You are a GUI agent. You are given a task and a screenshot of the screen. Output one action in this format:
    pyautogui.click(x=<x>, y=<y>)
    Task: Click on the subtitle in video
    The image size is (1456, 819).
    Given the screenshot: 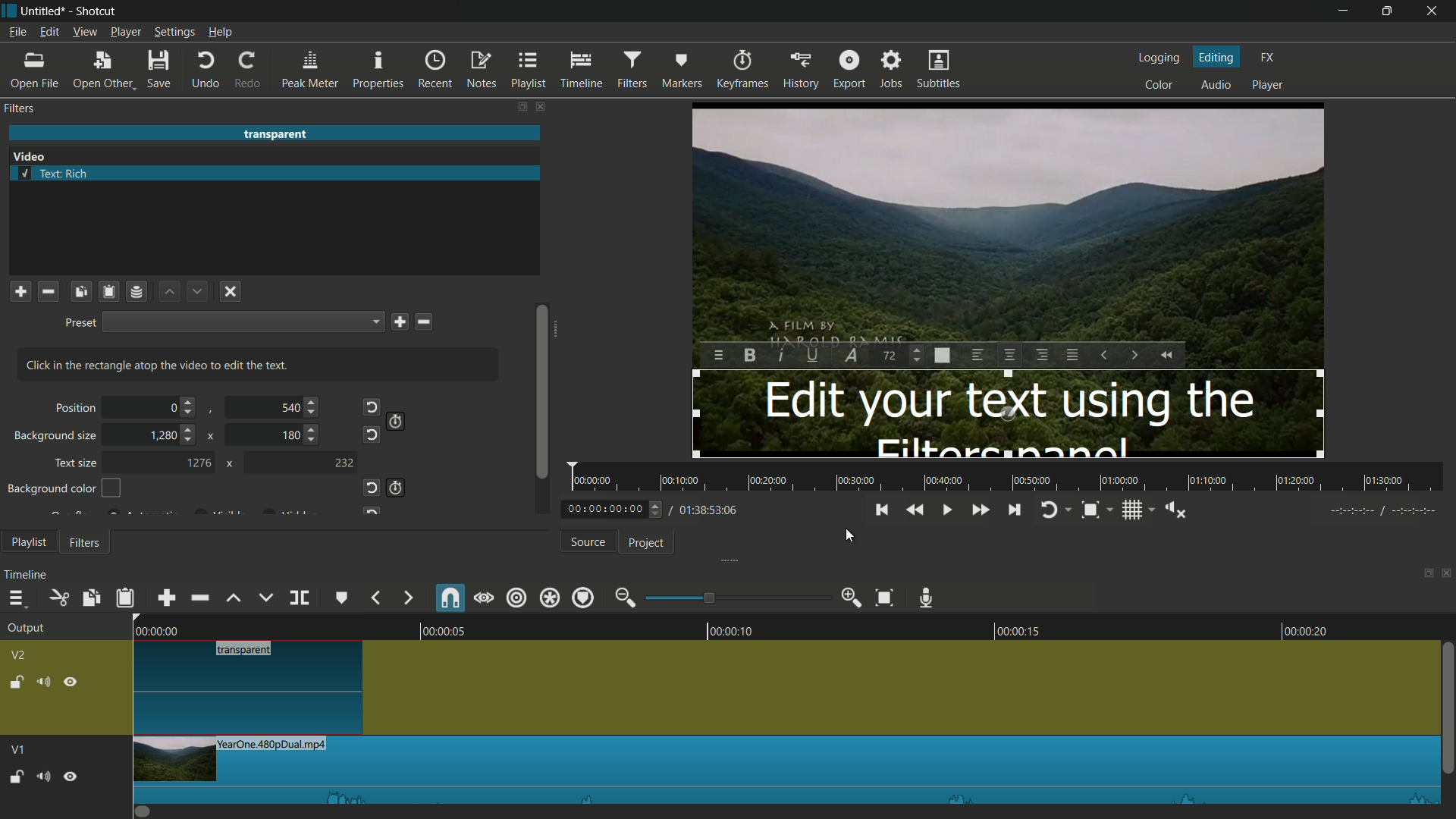 What is the action you would take?
    pyautogui.click(x=1007, y=413)
    